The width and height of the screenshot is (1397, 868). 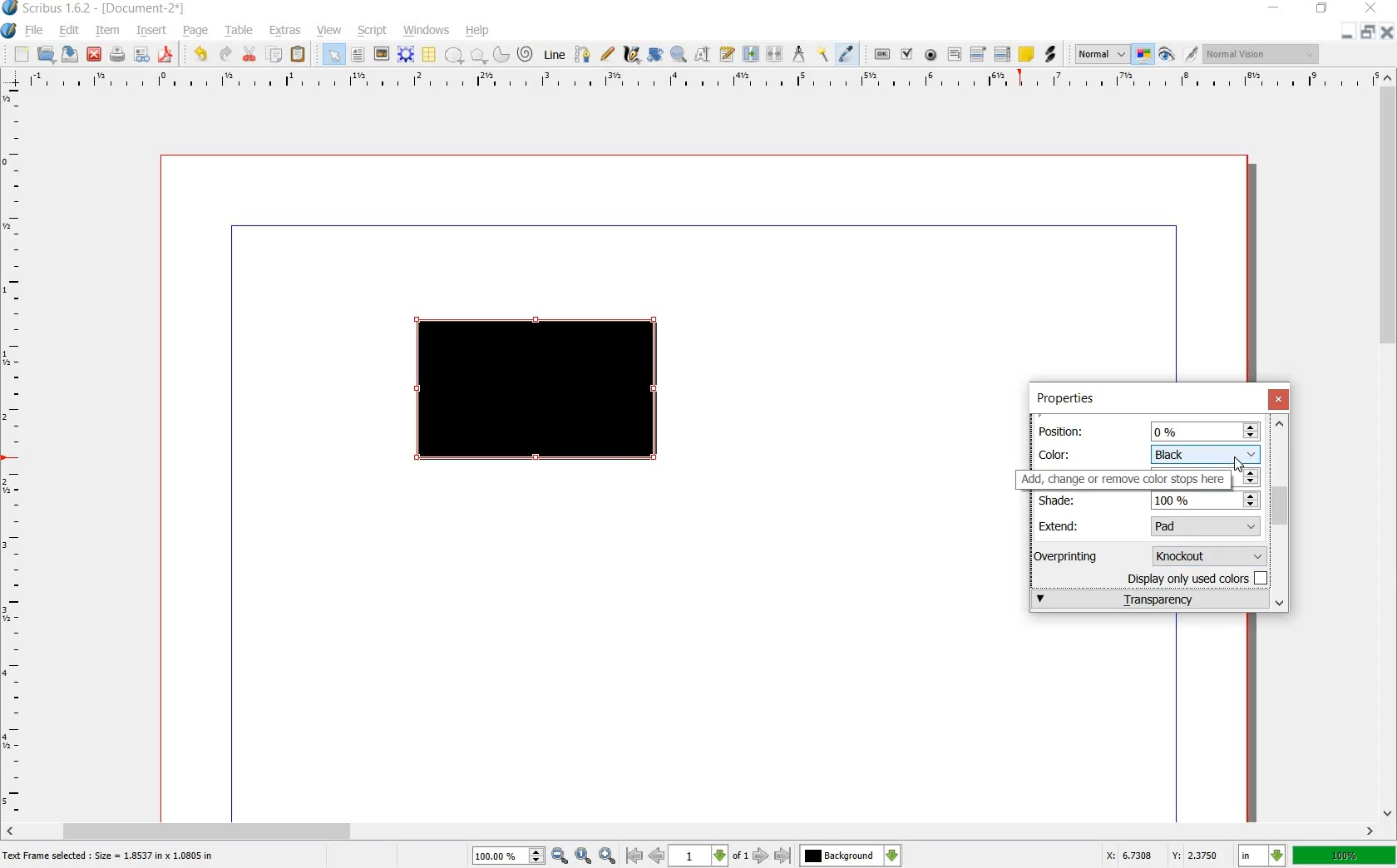 What do you see at coordinates (72, 54) in the screenshot?
I see `save` at bounding box center [72, 54].